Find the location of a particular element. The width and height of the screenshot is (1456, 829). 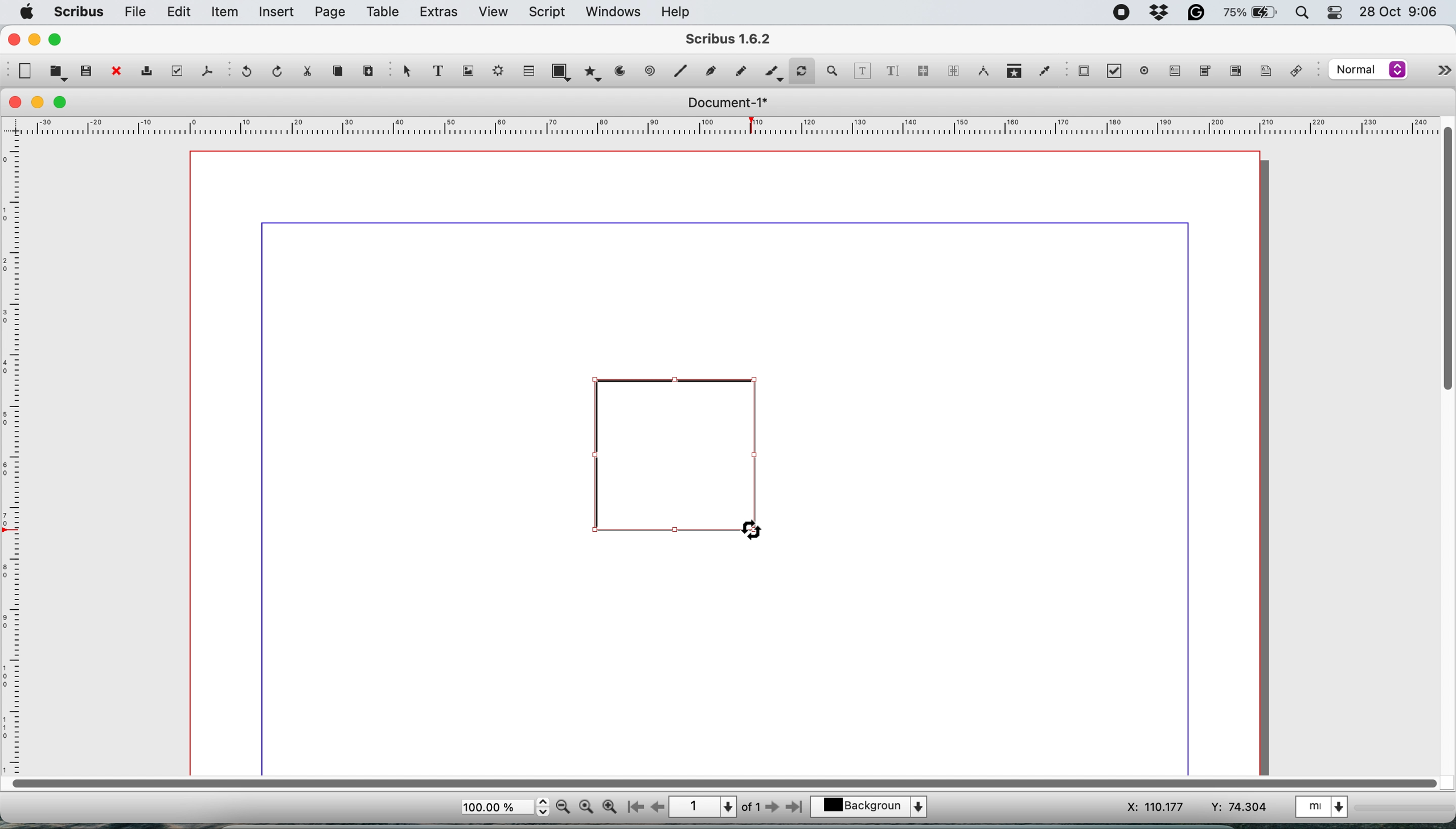

table is located at coordinates (384, 14).